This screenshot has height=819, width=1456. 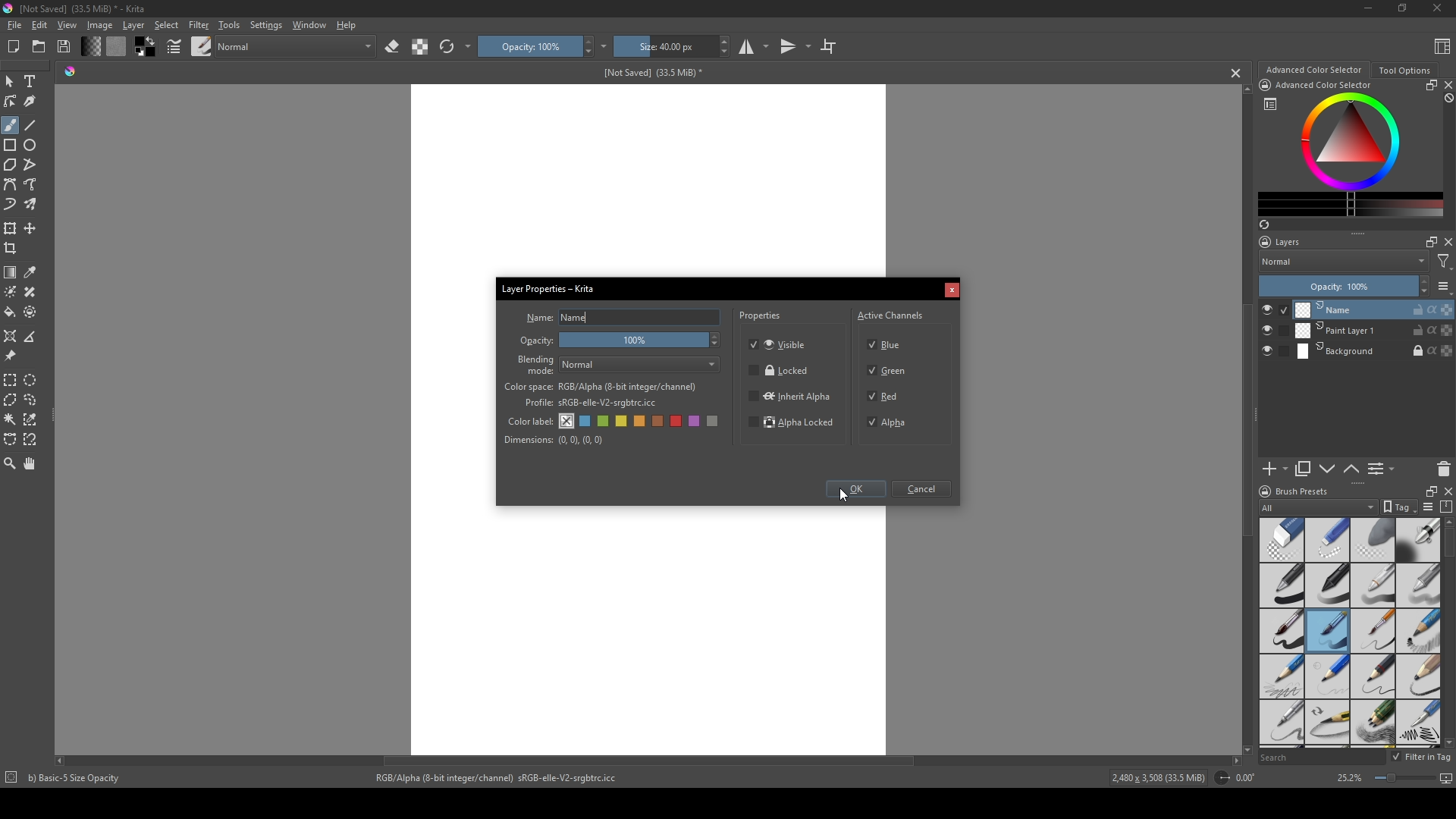 What do you see at coordinates (198, 25) in the screenshot?
I see `Filter` at bounding box center [198, 25].